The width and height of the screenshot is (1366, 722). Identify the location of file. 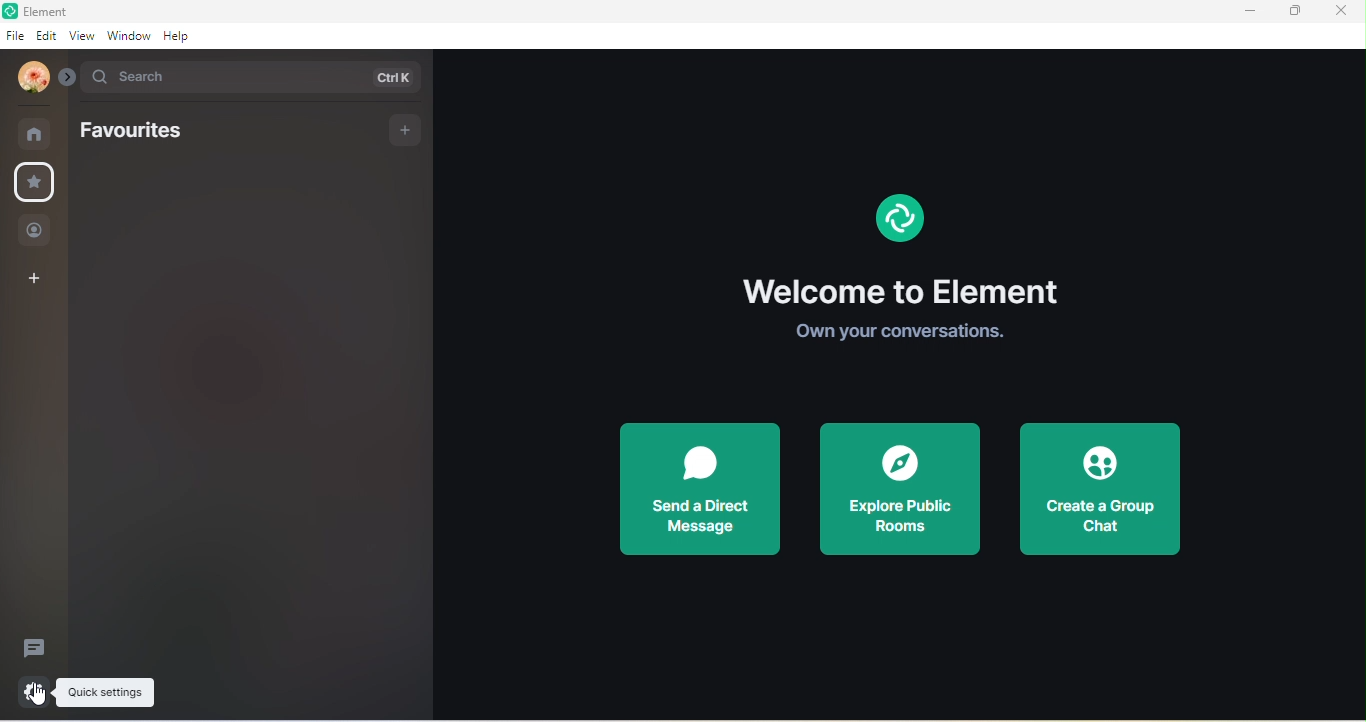
(15, 35).